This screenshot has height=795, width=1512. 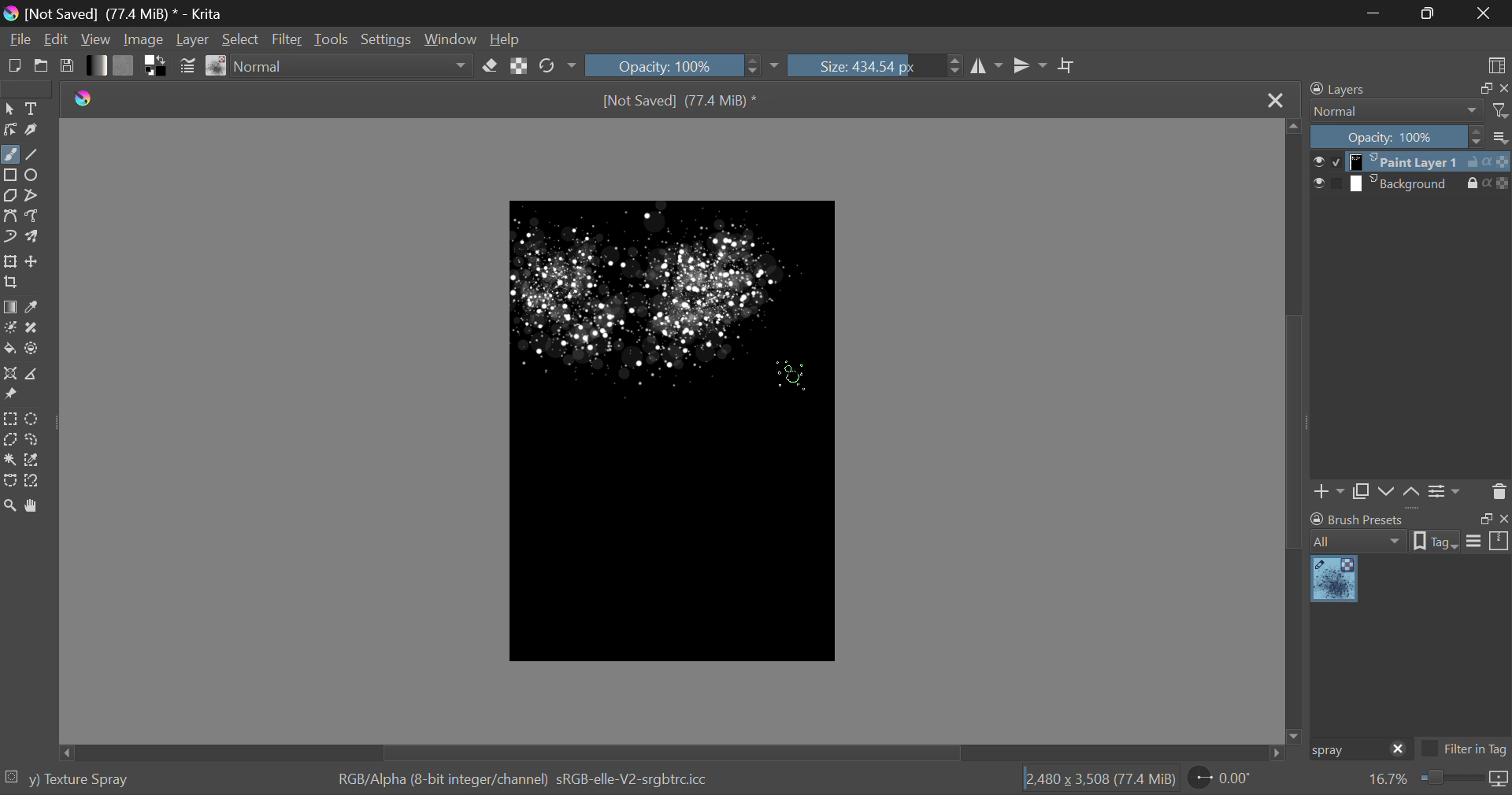 What do you see at coordinates (1501, 109) in the screenshot?
I see `filters icon` at bounding box center [1501, 109].